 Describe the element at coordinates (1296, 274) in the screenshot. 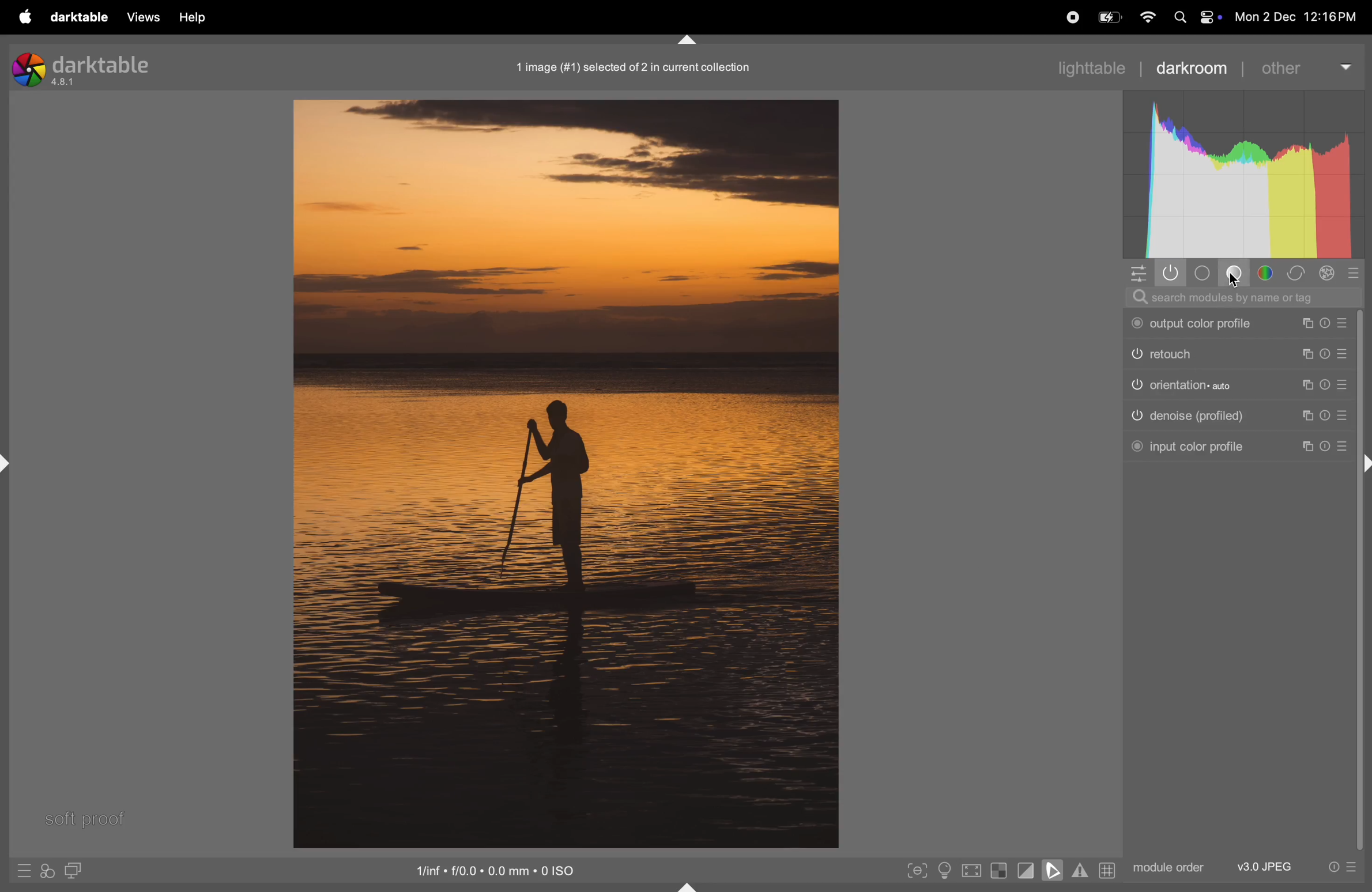

I see `correct ` at that location.